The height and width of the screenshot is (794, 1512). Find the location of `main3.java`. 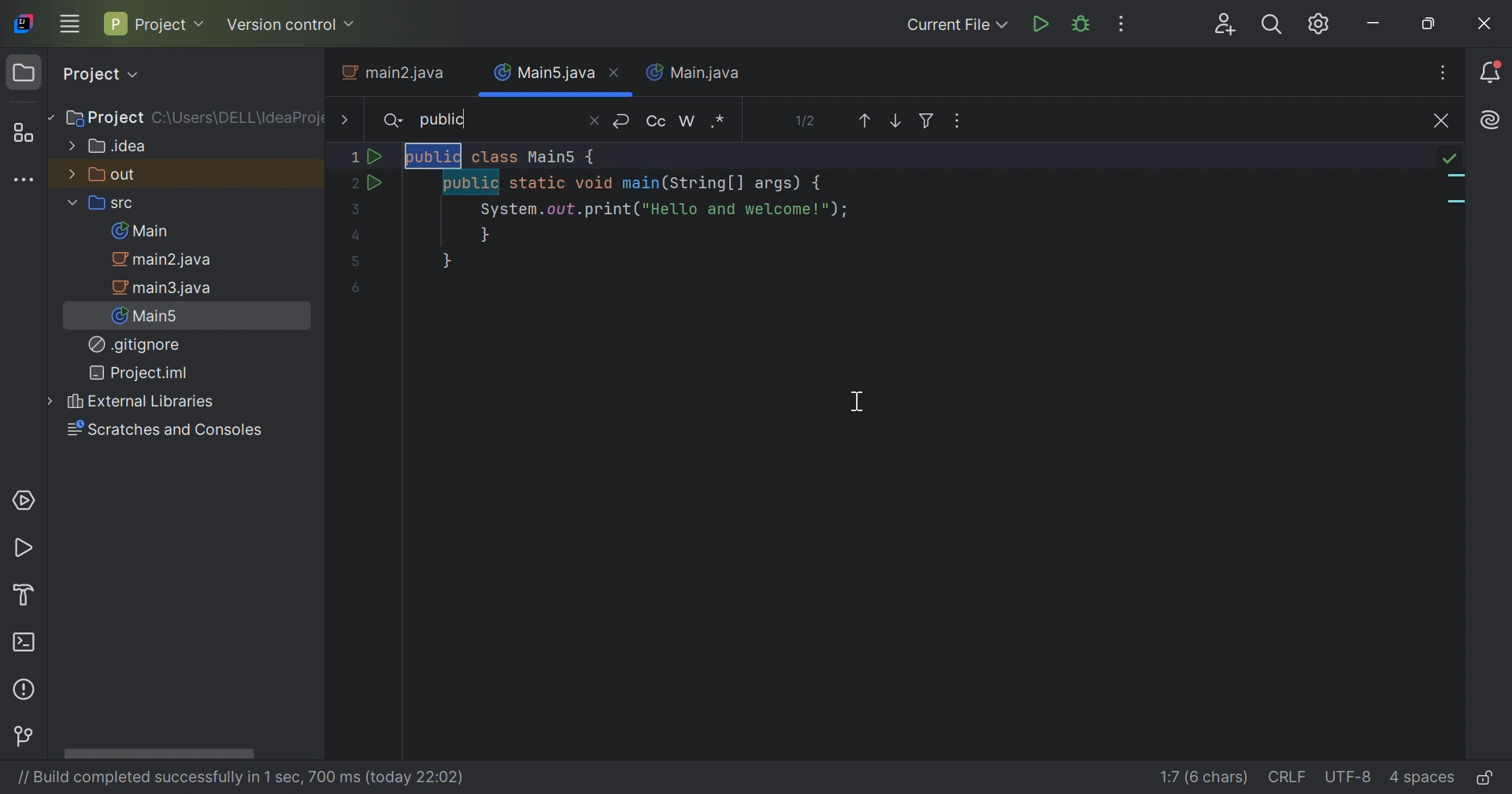

main3.java is located at coordinates (165, 288).